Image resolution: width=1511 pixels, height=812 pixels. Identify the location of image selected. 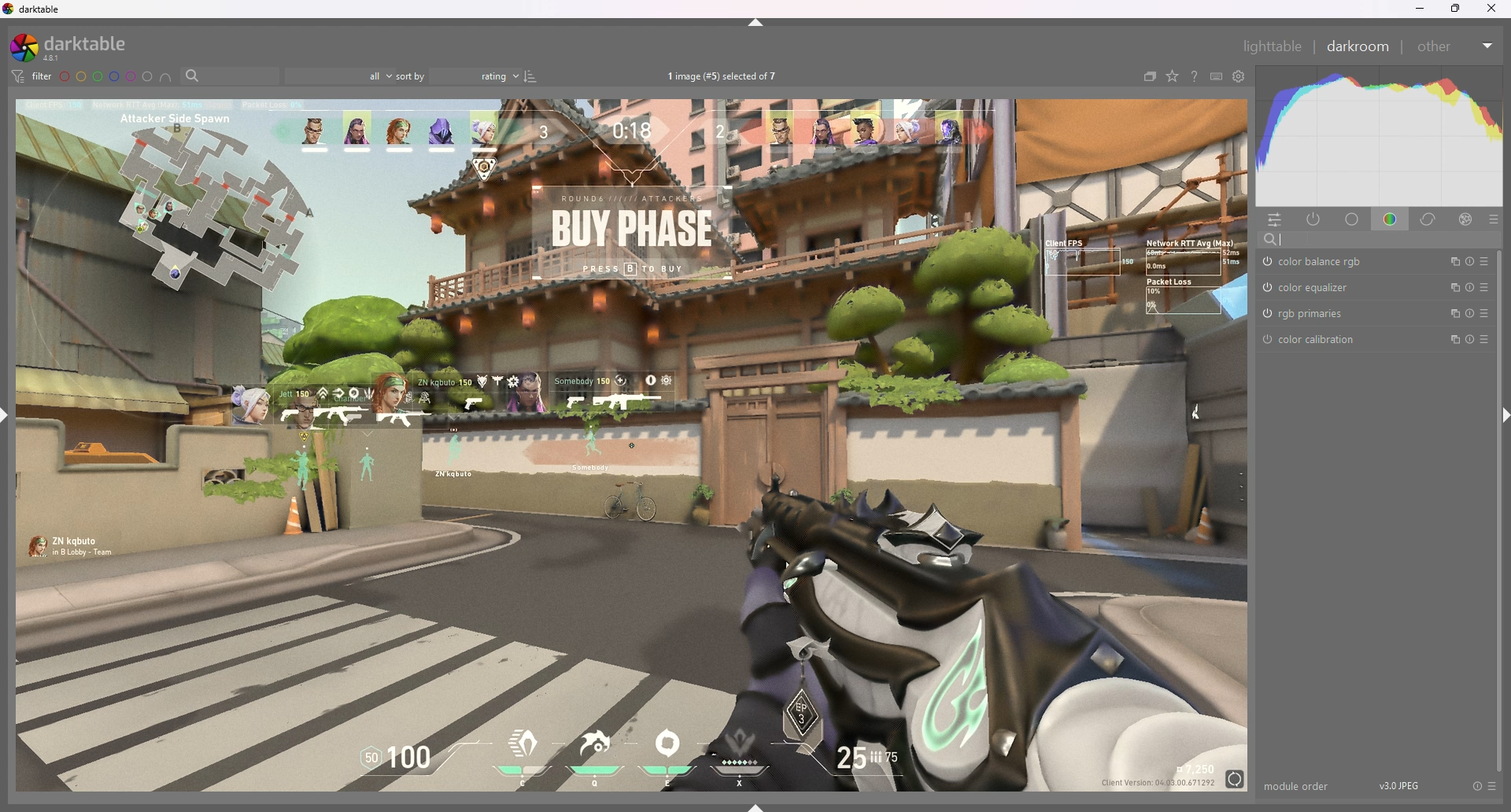
(728, 76).